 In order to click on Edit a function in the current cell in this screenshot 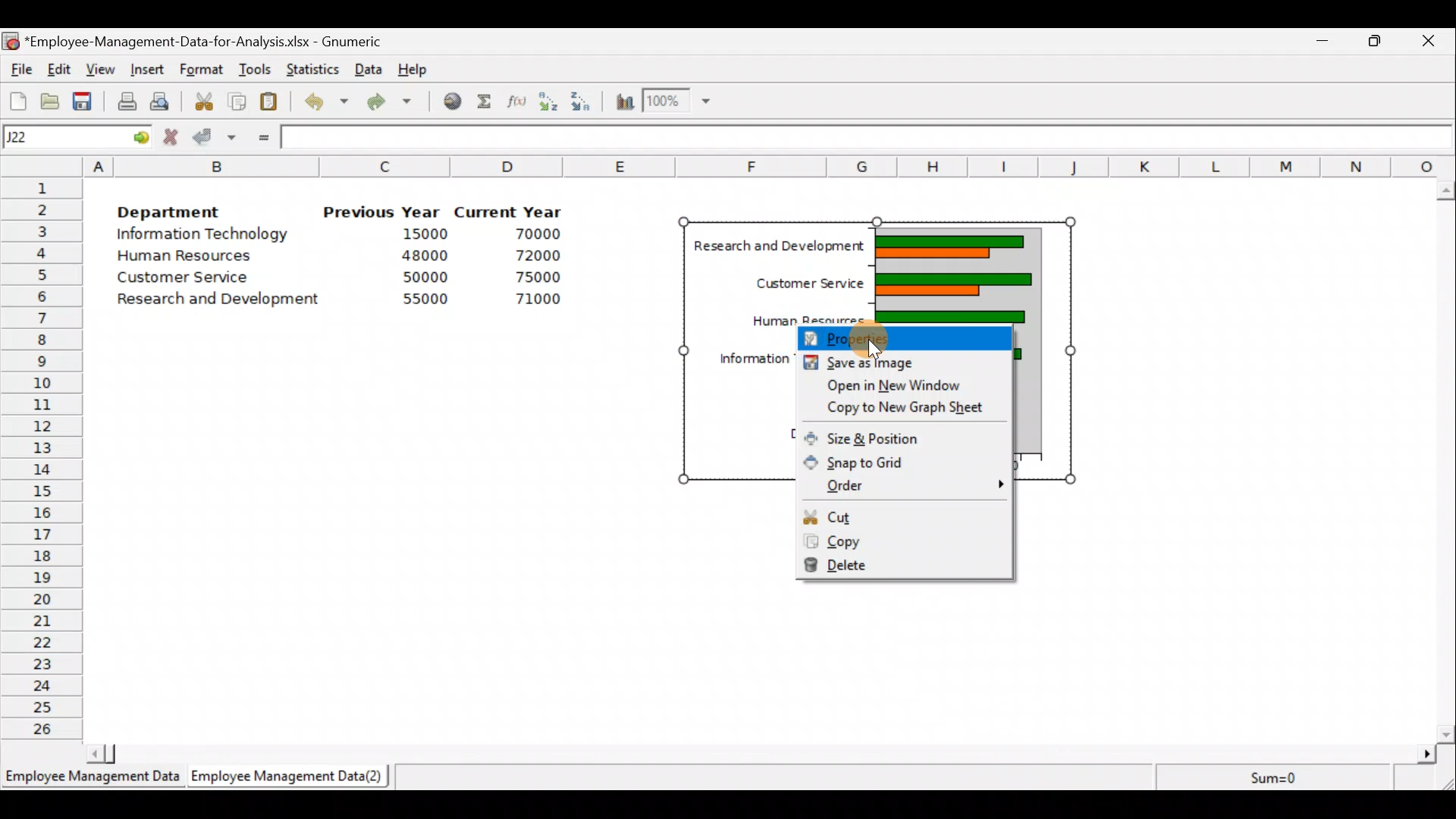, I will do `click(518, 102)`.